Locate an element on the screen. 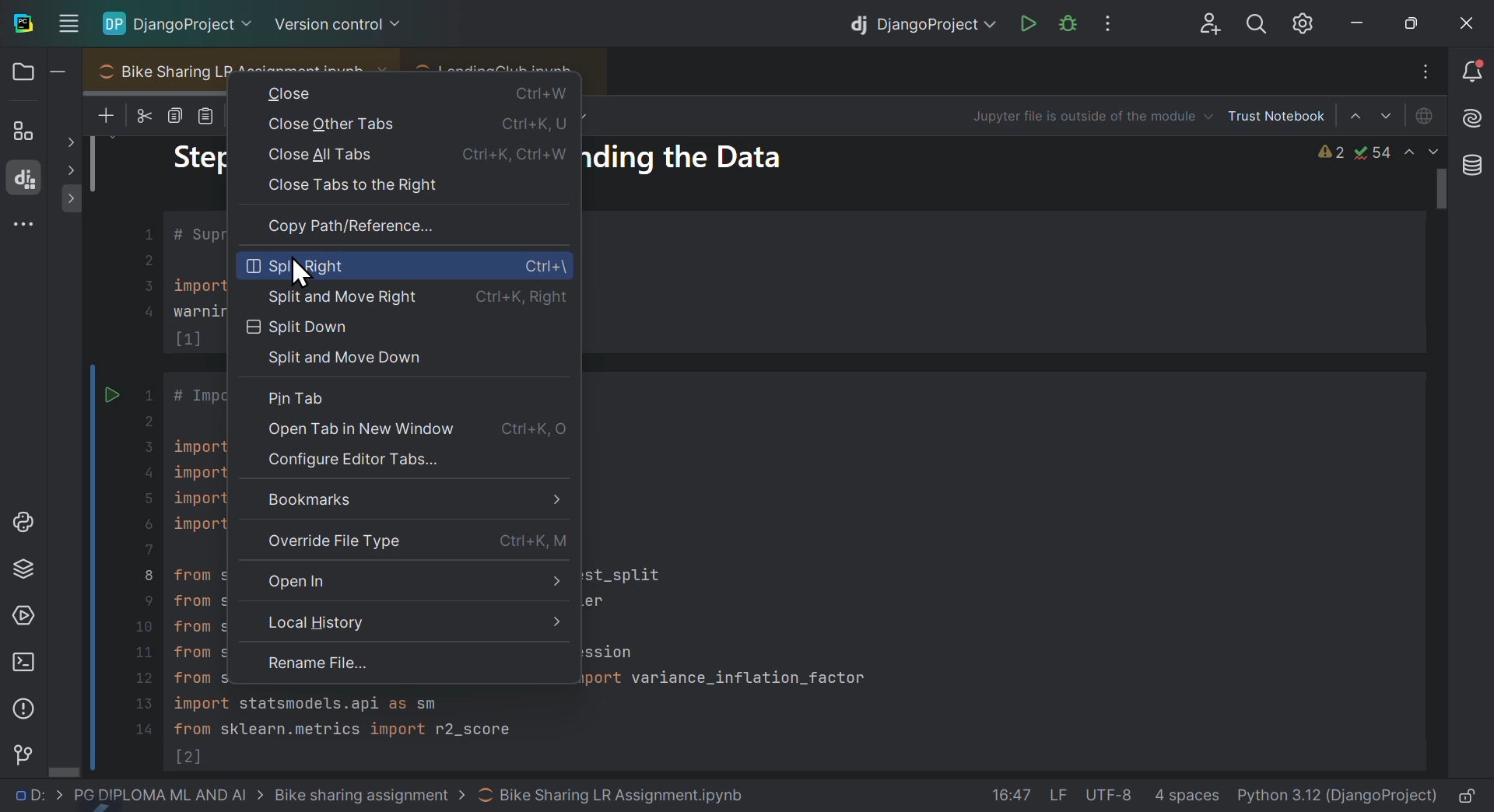 The image size is (1494, 812). Warnings and issues is located at coordinates (1362, 152).